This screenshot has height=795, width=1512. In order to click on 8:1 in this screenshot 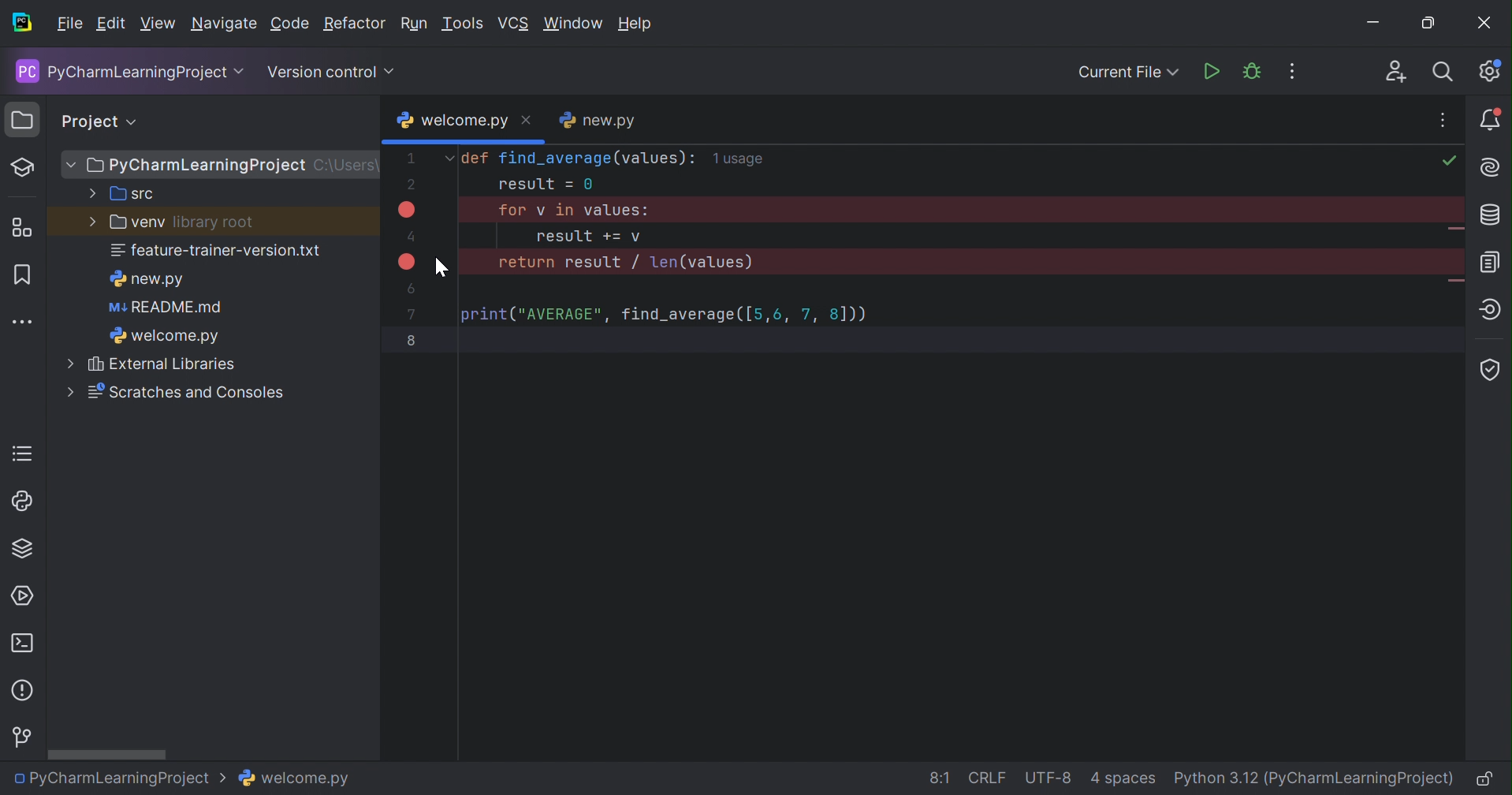, I will do `click(940, 776)`.